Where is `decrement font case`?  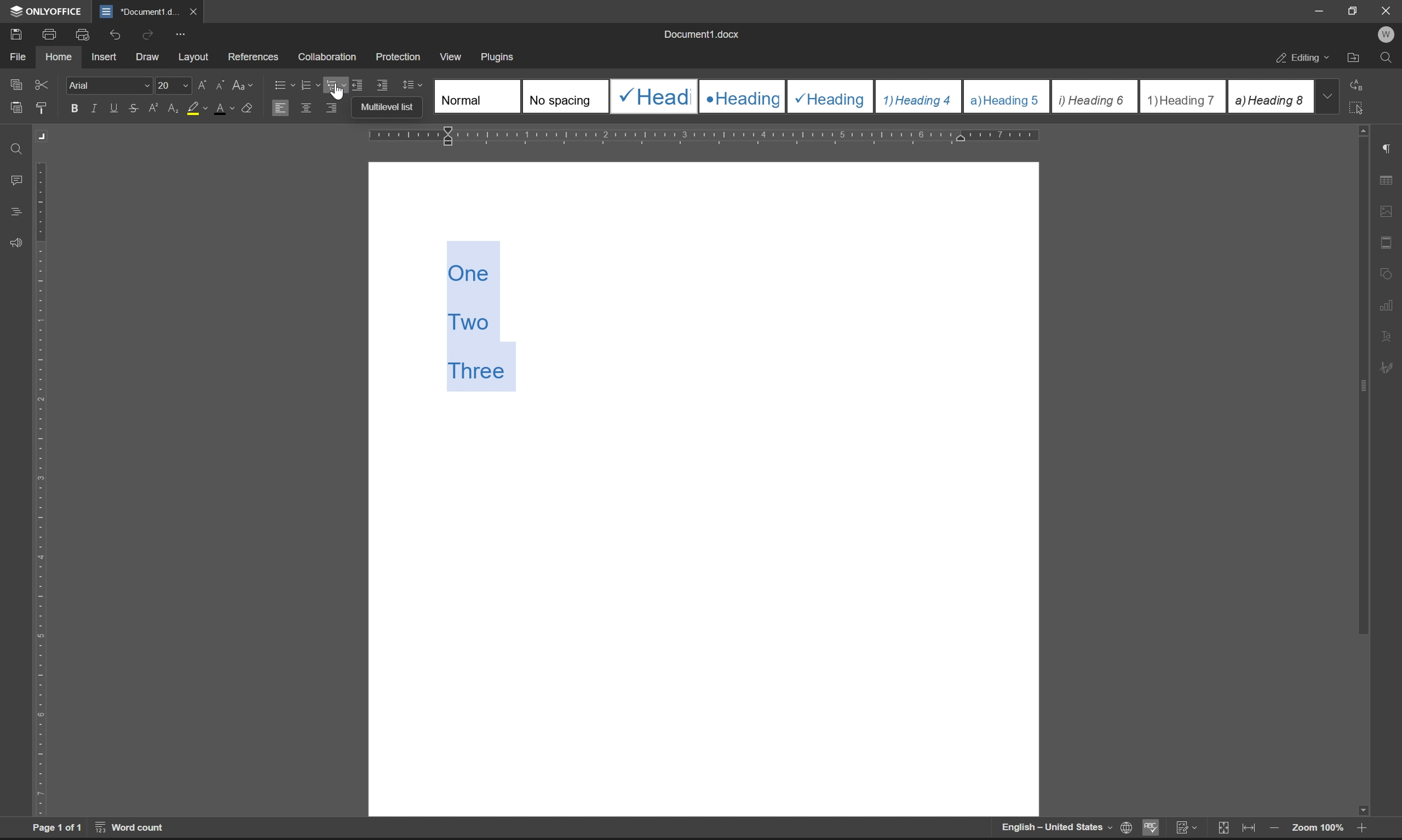
decrement font case is located at coordinates (217, 83).